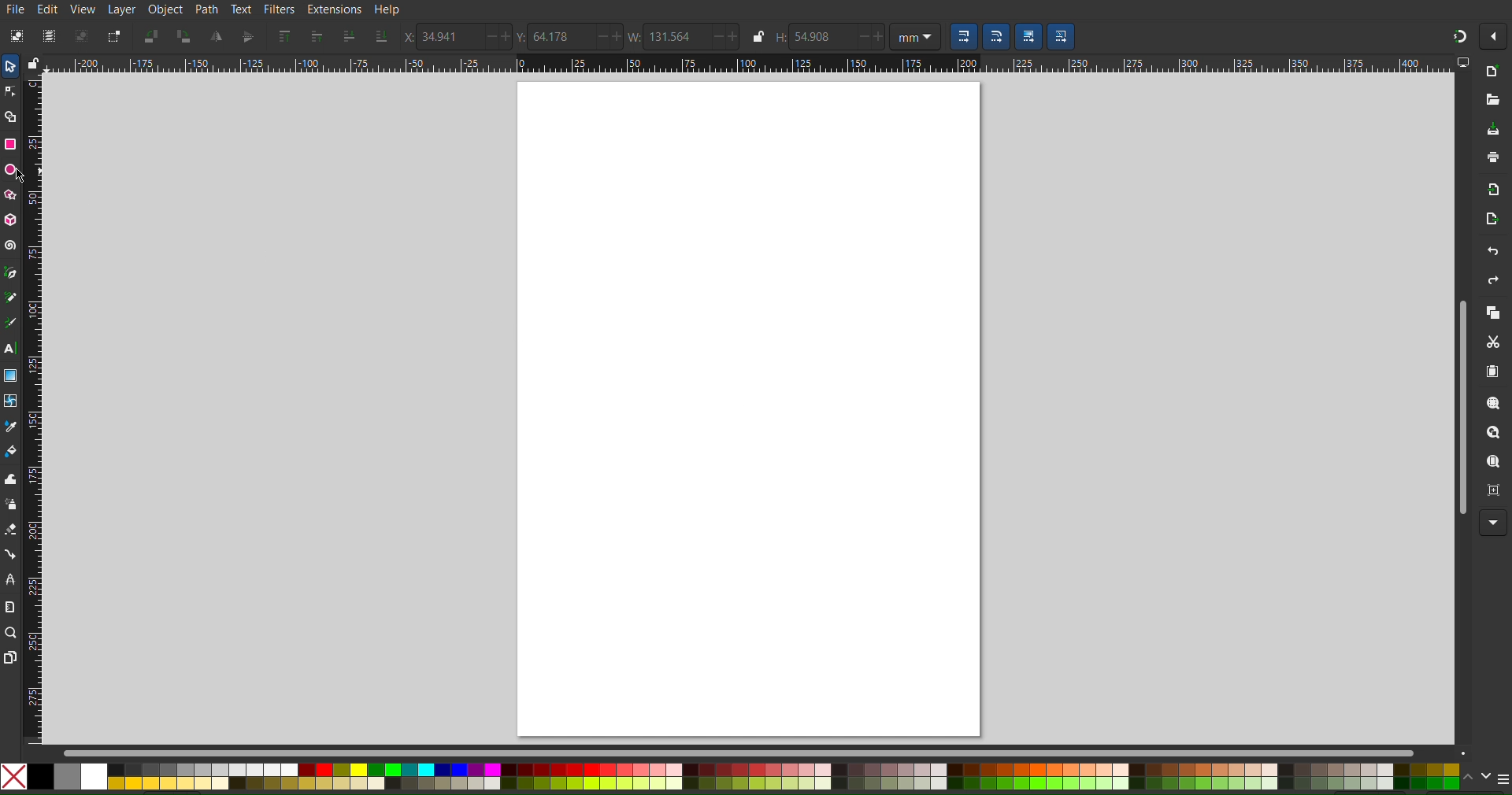  I want to click on Open, so click(1490, 100).